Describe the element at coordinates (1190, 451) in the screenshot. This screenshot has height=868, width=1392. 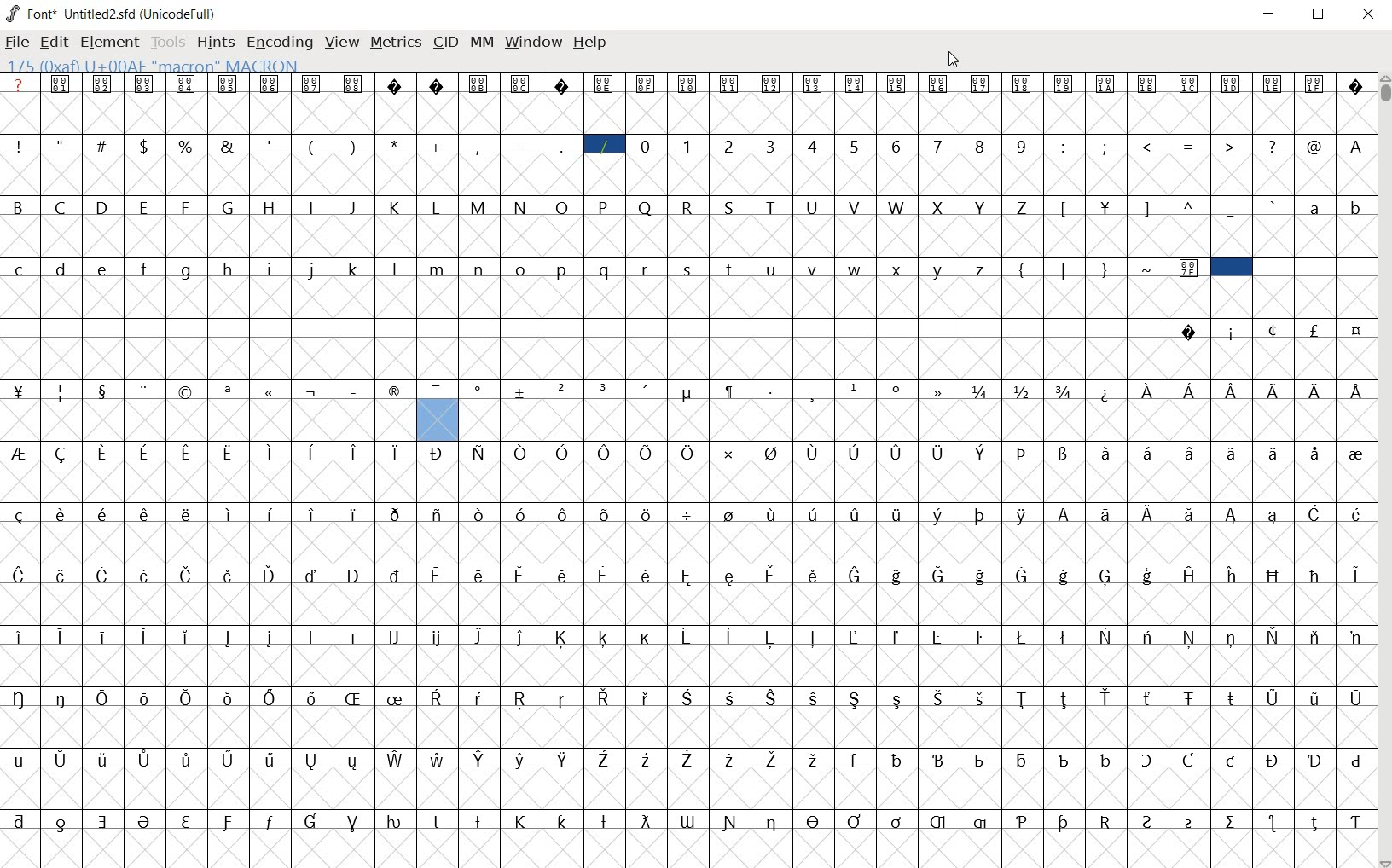
I see `Symbol` at that location.